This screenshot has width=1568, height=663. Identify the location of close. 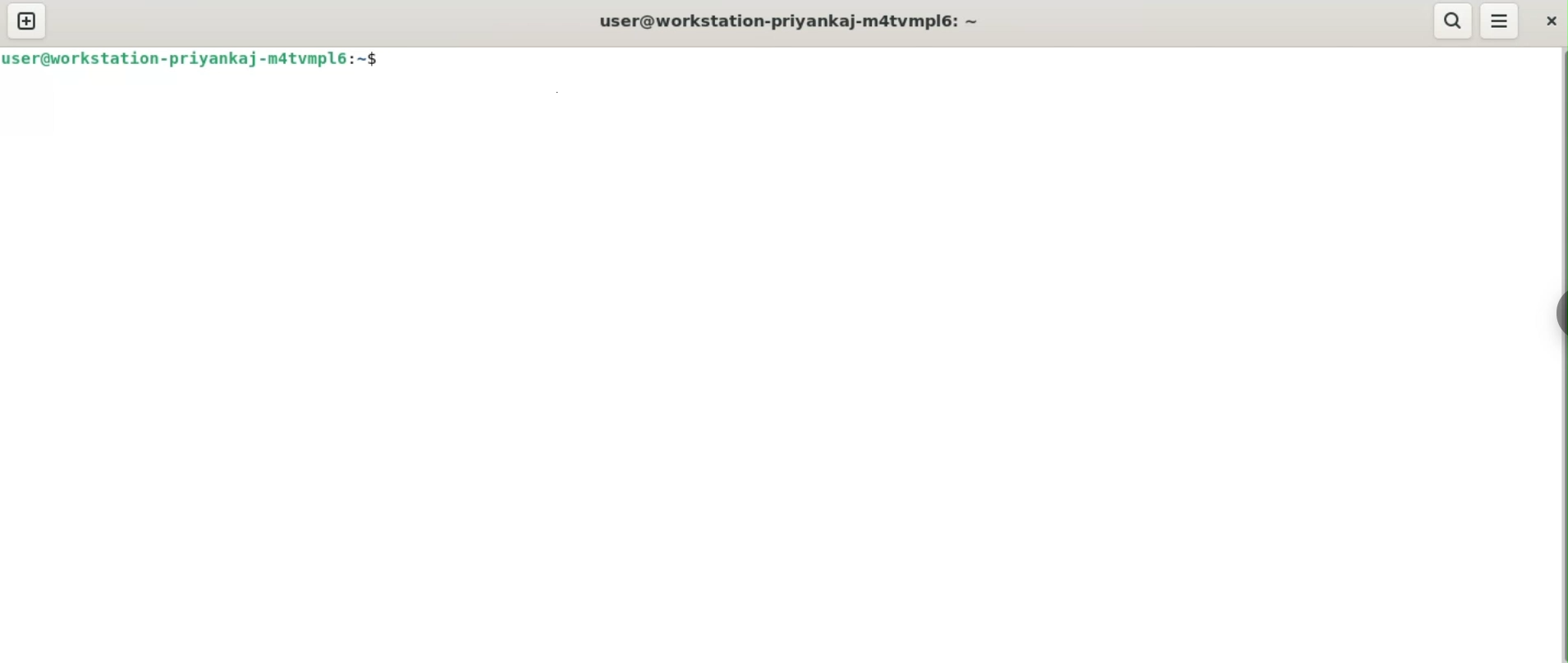
(1549, 23).